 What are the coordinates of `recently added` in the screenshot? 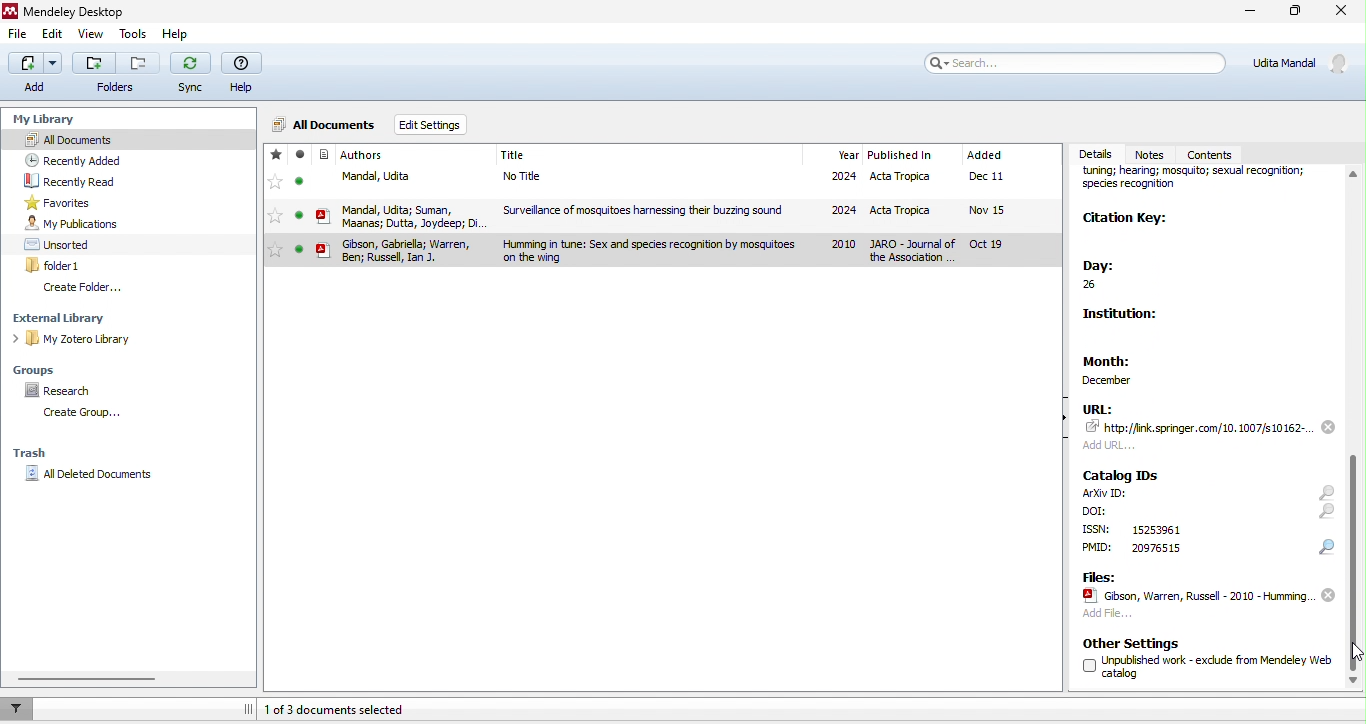 It's located at (72, 159).